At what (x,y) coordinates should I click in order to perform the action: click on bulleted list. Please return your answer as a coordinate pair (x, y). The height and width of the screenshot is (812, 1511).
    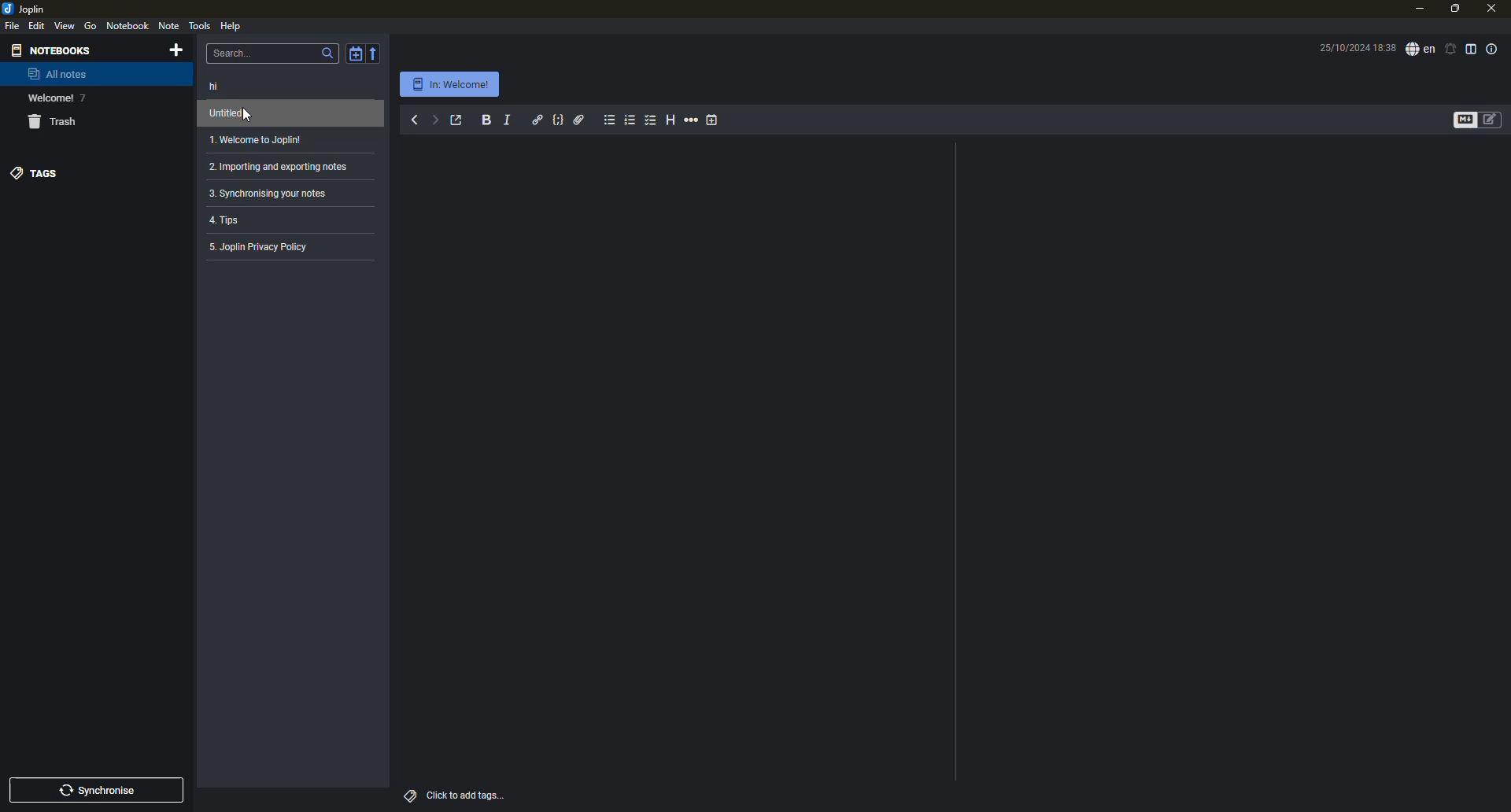
    Looking at the image, I should click on (609, 120).